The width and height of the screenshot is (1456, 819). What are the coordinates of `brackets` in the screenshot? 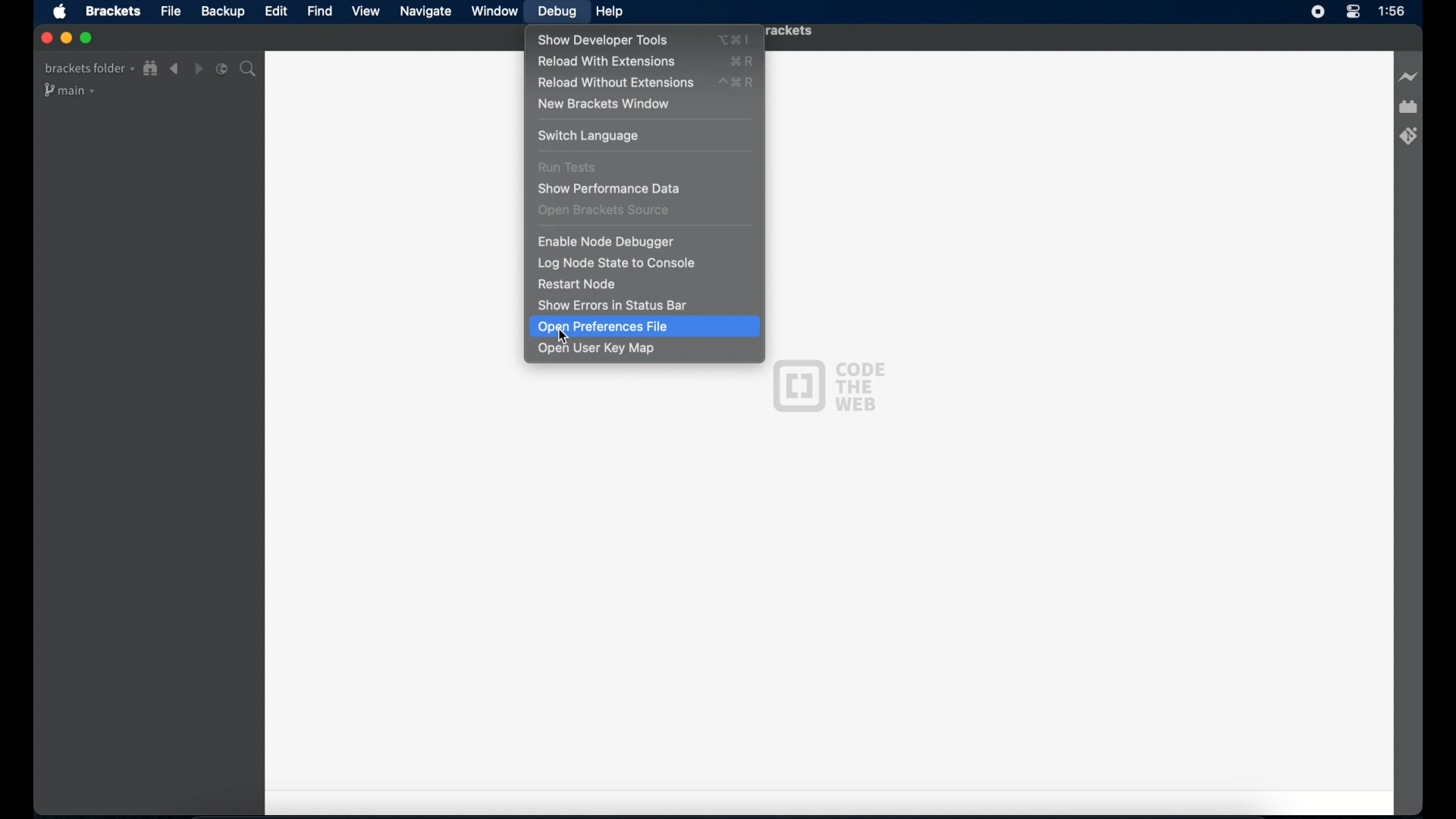 It's located at (793, 30).